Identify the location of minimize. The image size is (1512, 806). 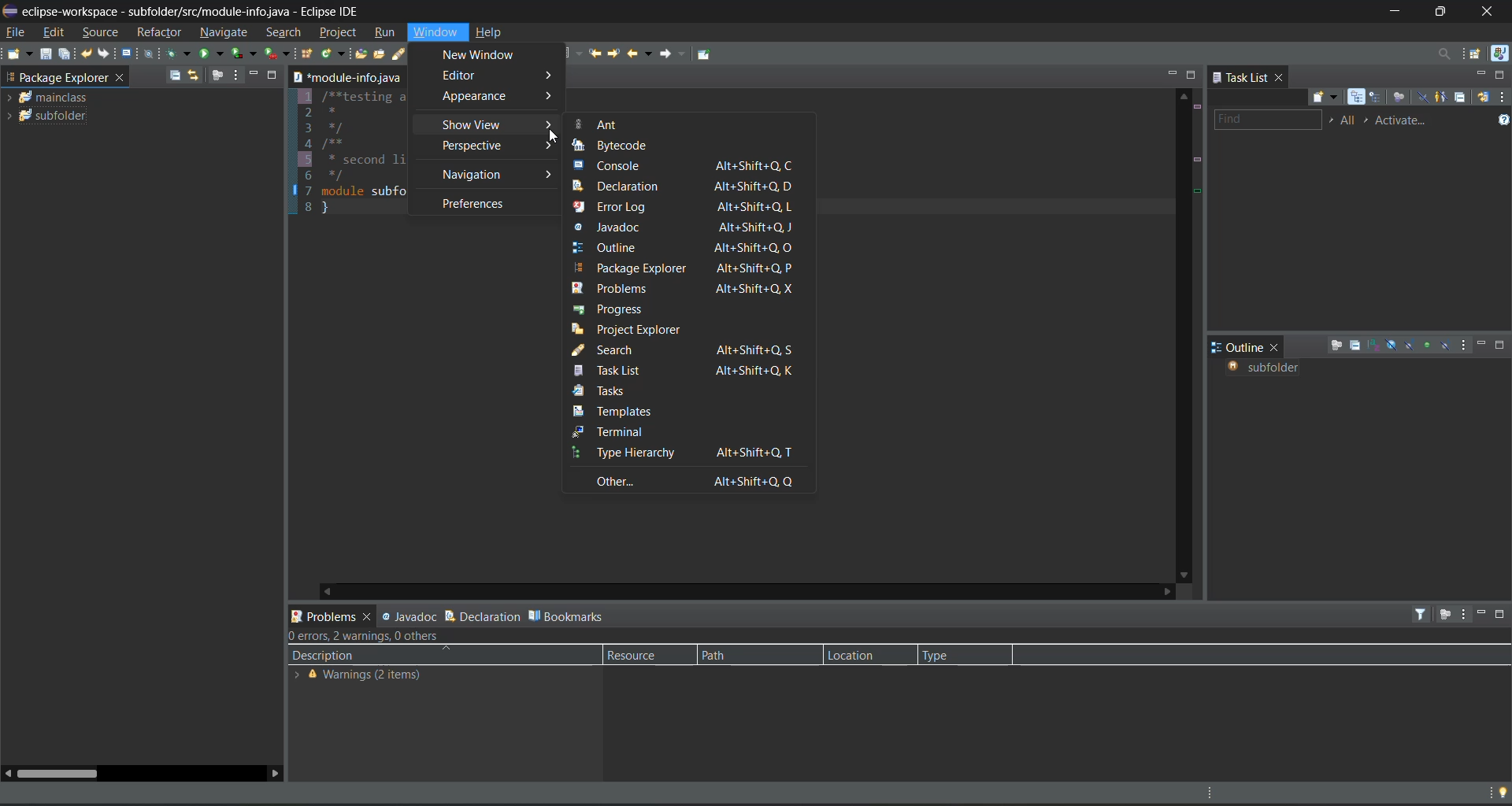
(258, 76).